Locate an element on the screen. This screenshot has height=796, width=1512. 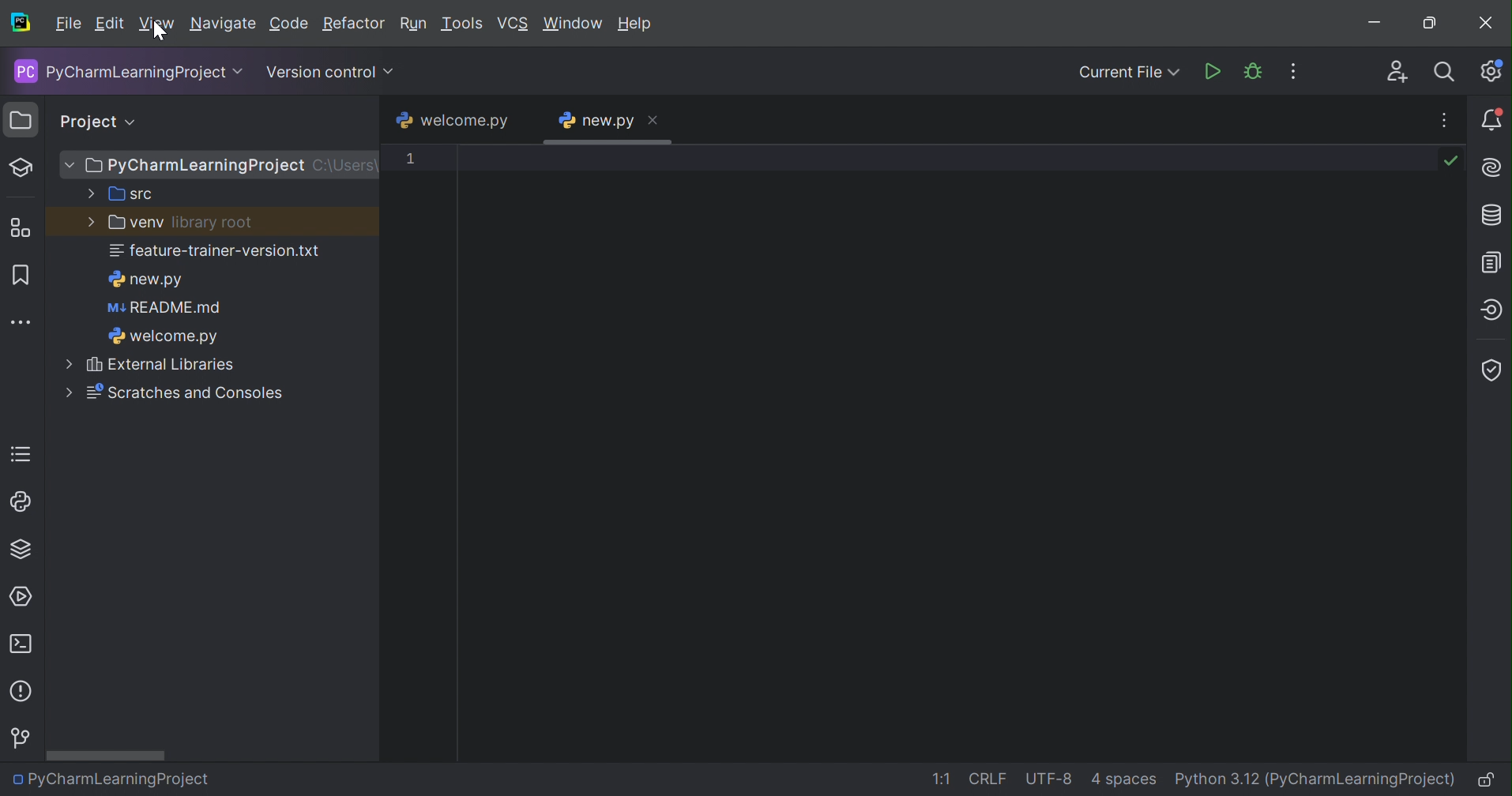
src is located at coordinates (119, 194).